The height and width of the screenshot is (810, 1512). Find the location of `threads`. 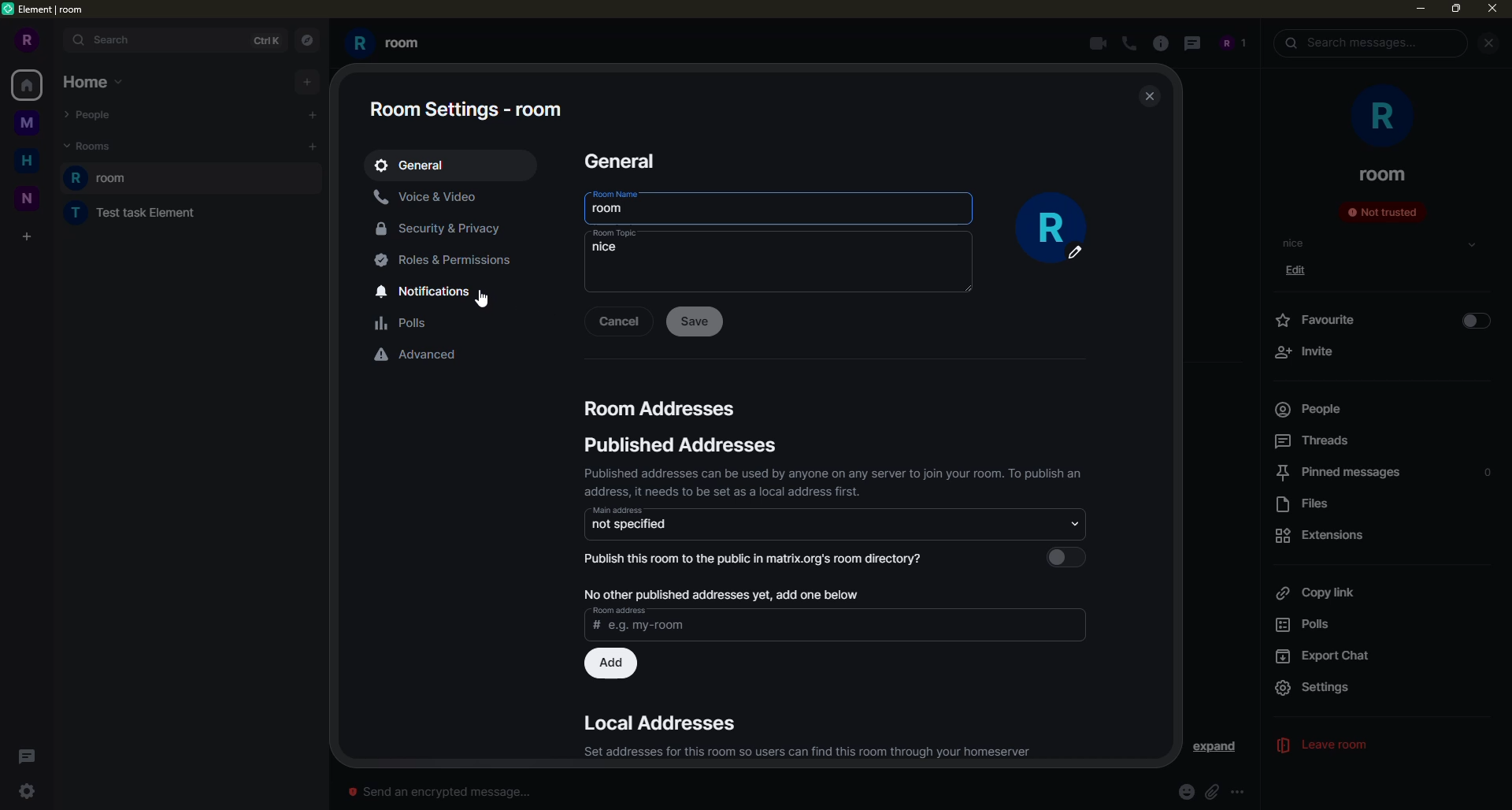

threads is located at coordinates (1314, 440).